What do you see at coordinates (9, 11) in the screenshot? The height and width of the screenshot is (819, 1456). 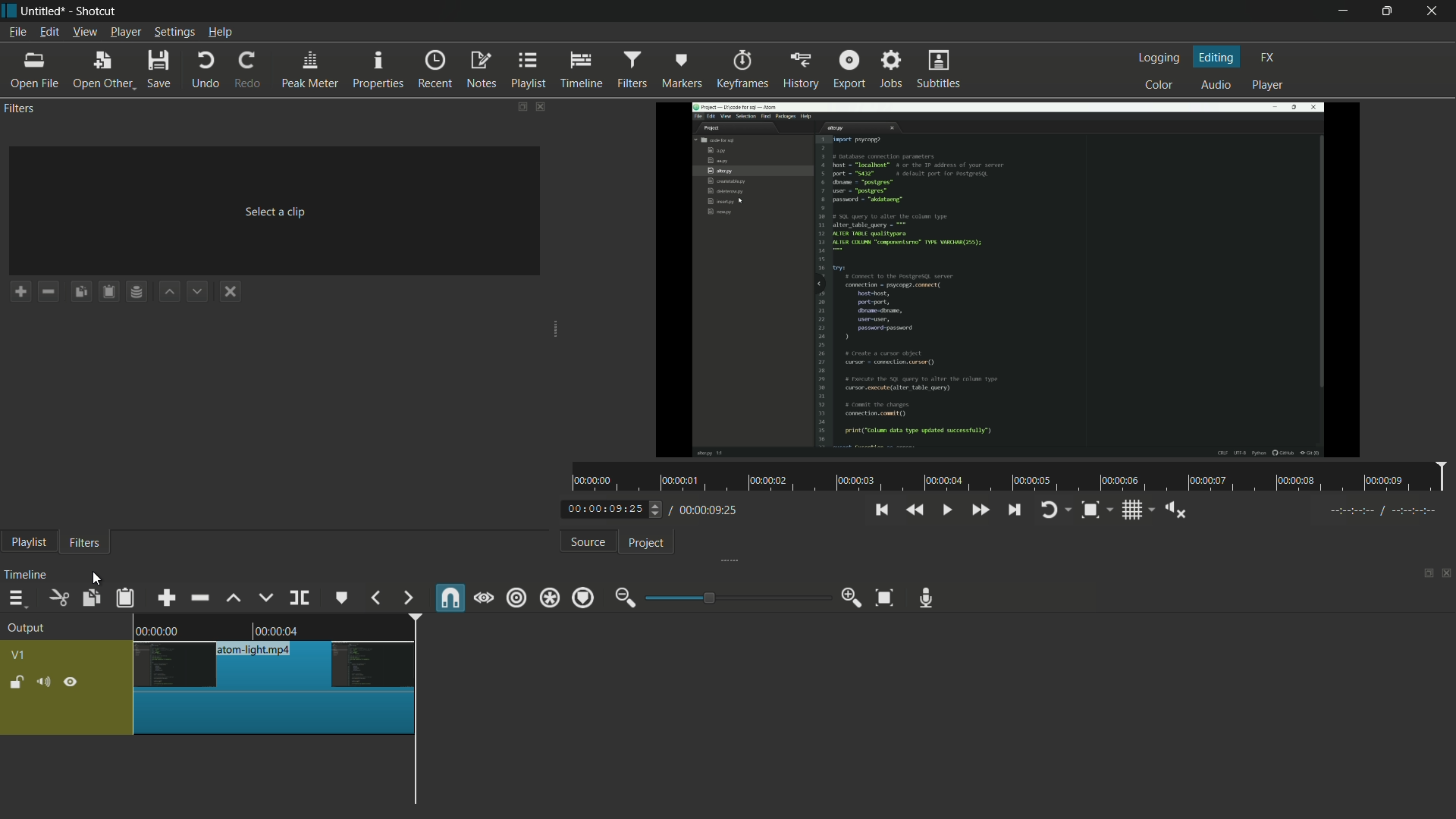 I see `app icon` at bounding box center [9, 11].